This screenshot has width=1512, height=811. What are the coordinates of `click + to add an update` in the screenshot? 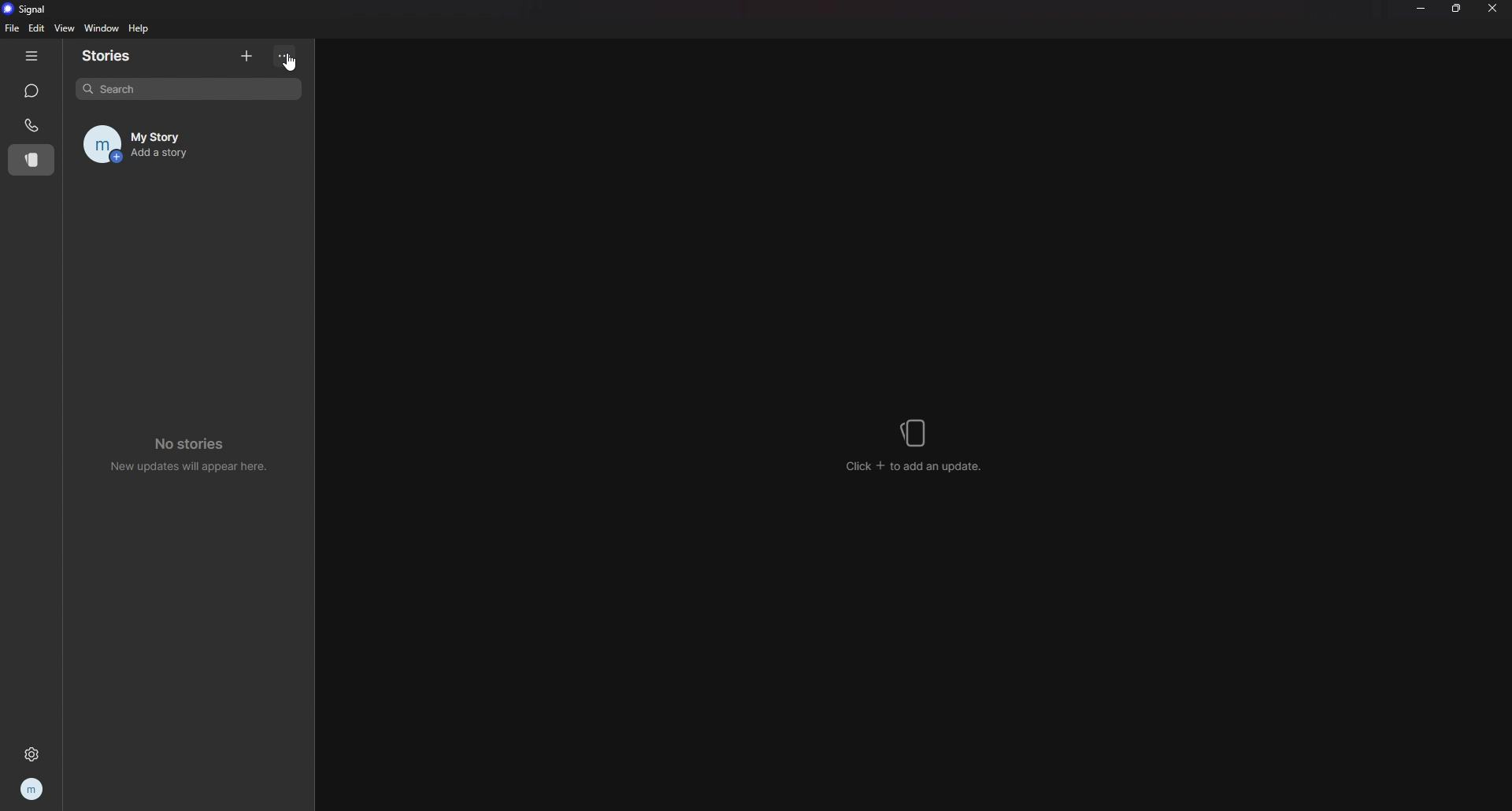 It's located at (914, 466).